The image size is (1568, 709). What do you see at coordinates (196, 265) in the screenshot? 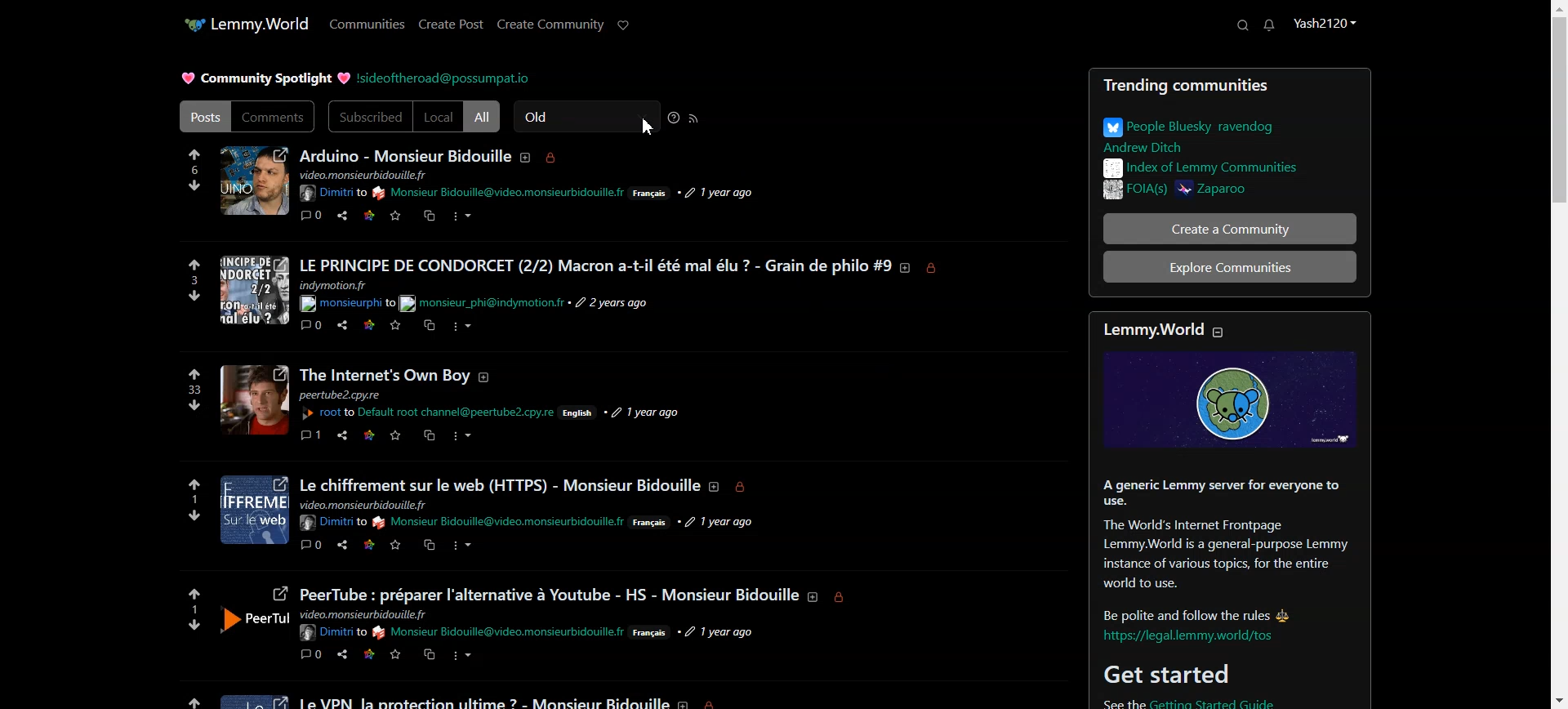
I see `upvote` at bounding box center [196, 265].